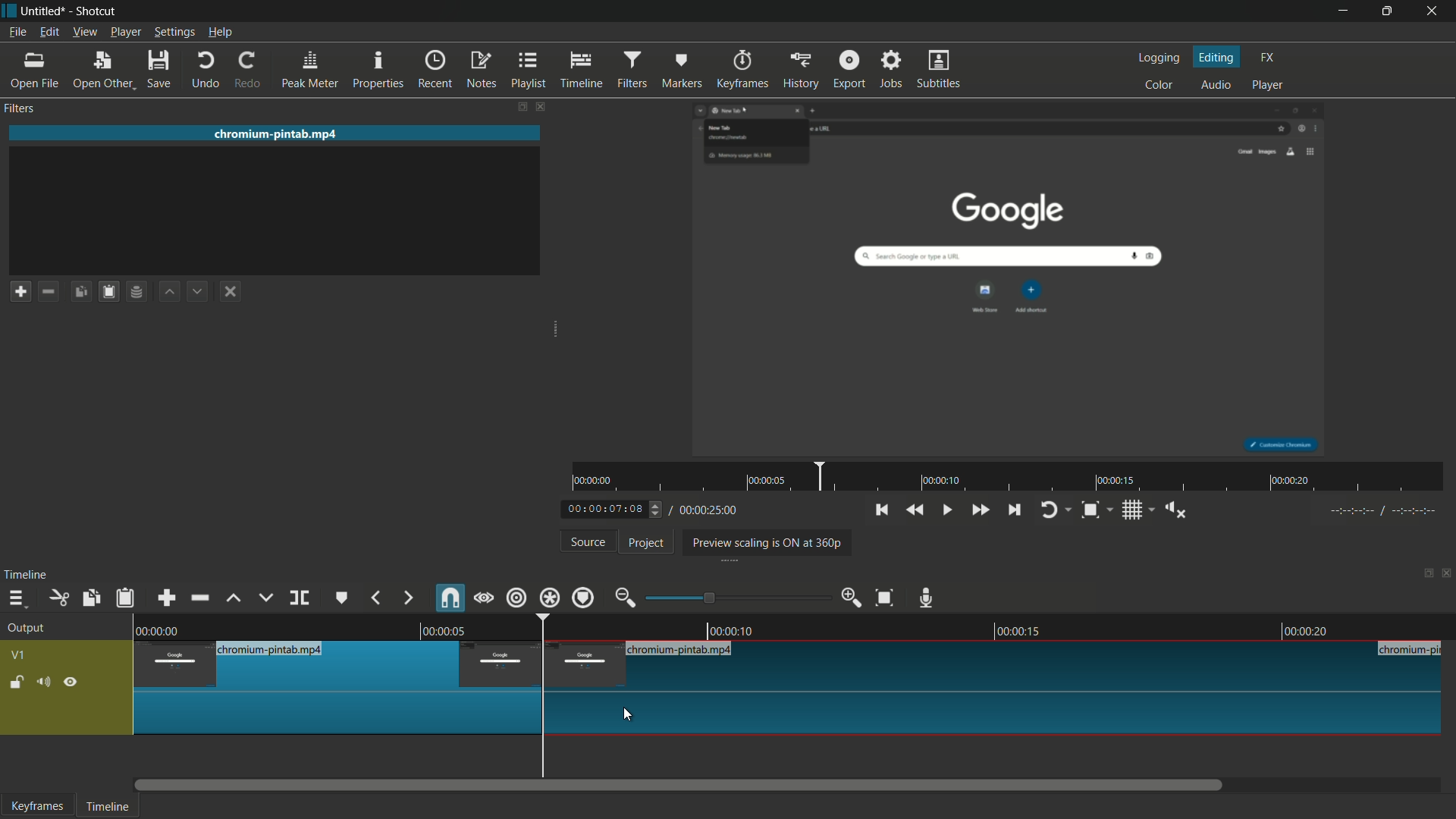  I want to click on view menu, so click(83, 33).